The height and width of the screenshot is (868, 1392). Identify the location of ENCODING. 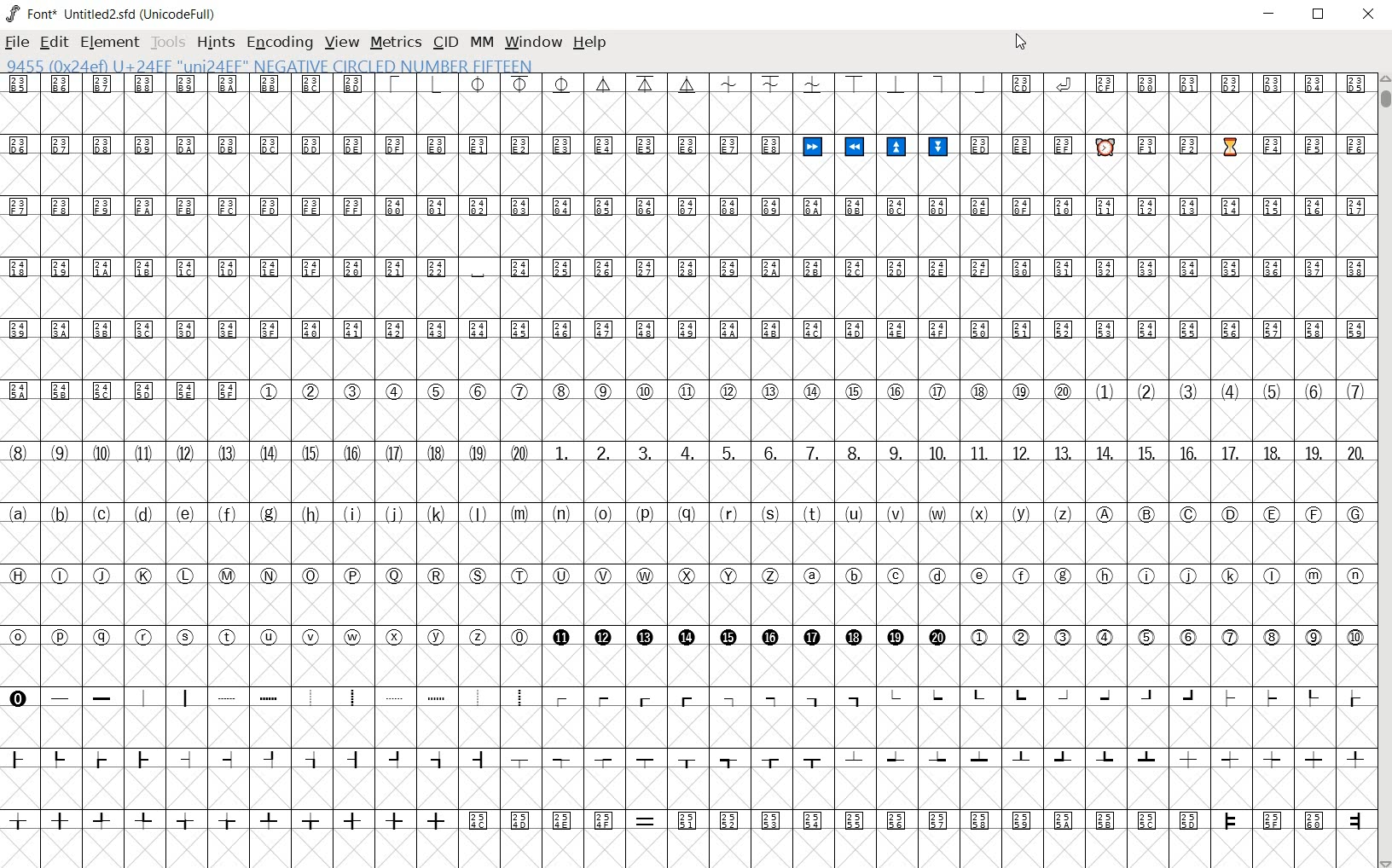
(278, 43).